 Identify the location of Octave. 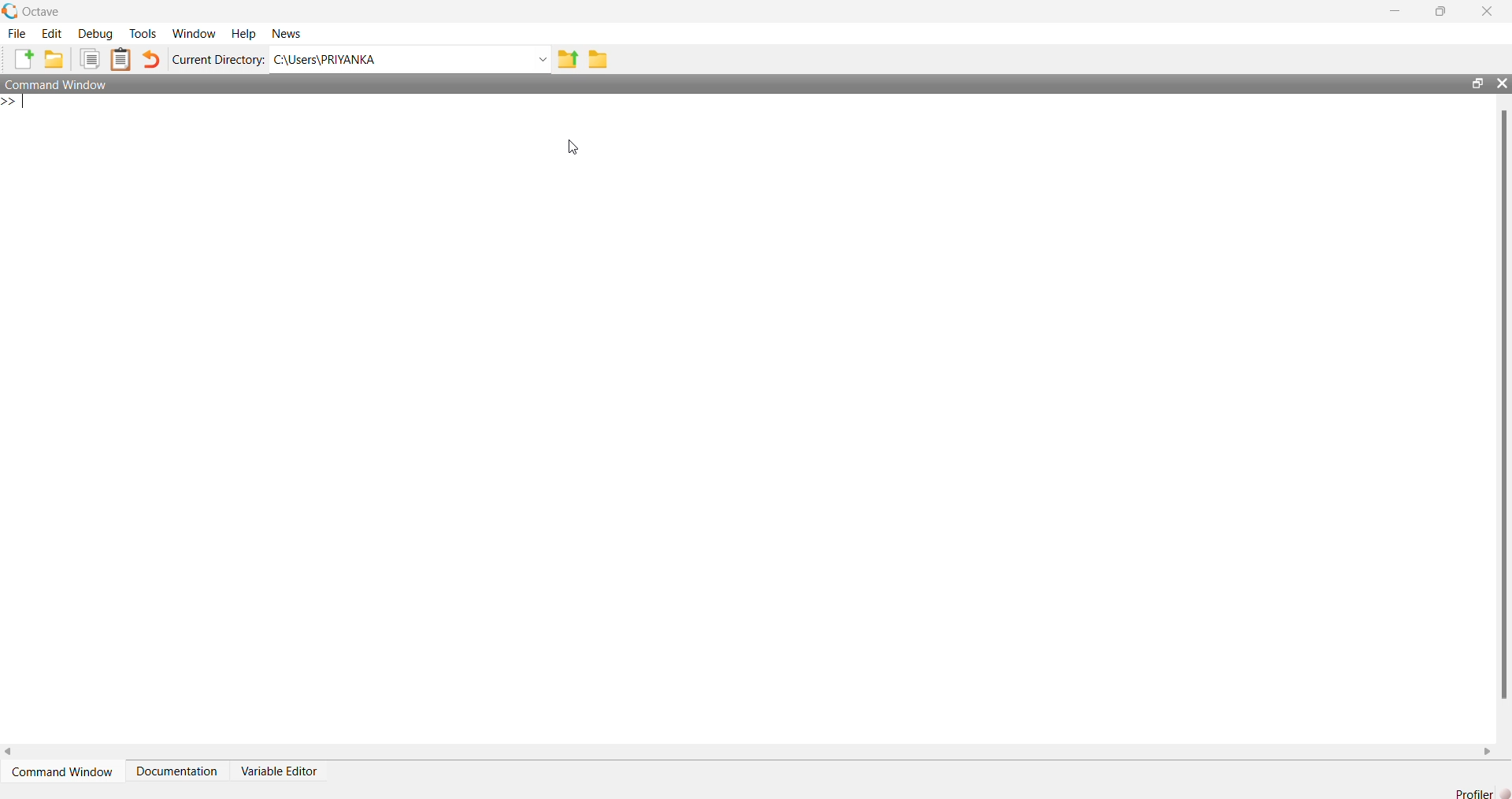
(42, 12).